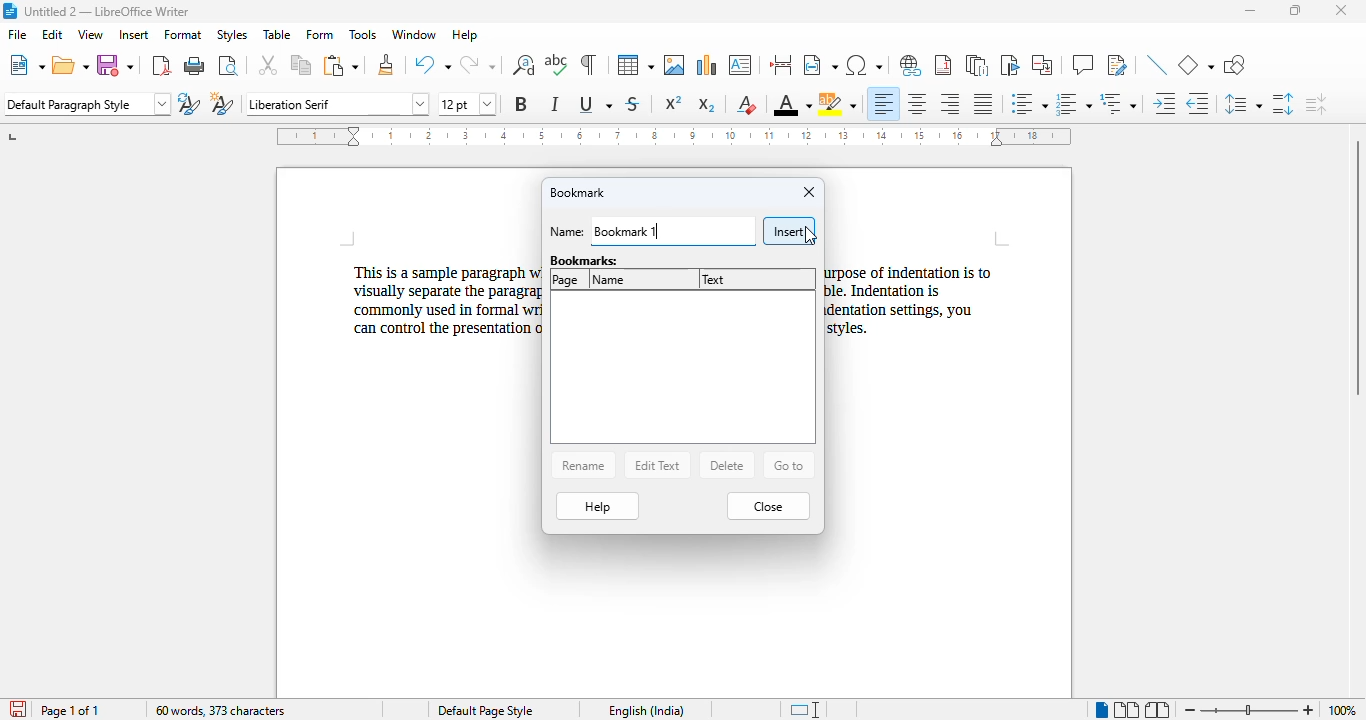 This screenshot has width=1366, height=720. Describe the element at coordinates (302, 65) in the screenshot. I see `copy` at that location.